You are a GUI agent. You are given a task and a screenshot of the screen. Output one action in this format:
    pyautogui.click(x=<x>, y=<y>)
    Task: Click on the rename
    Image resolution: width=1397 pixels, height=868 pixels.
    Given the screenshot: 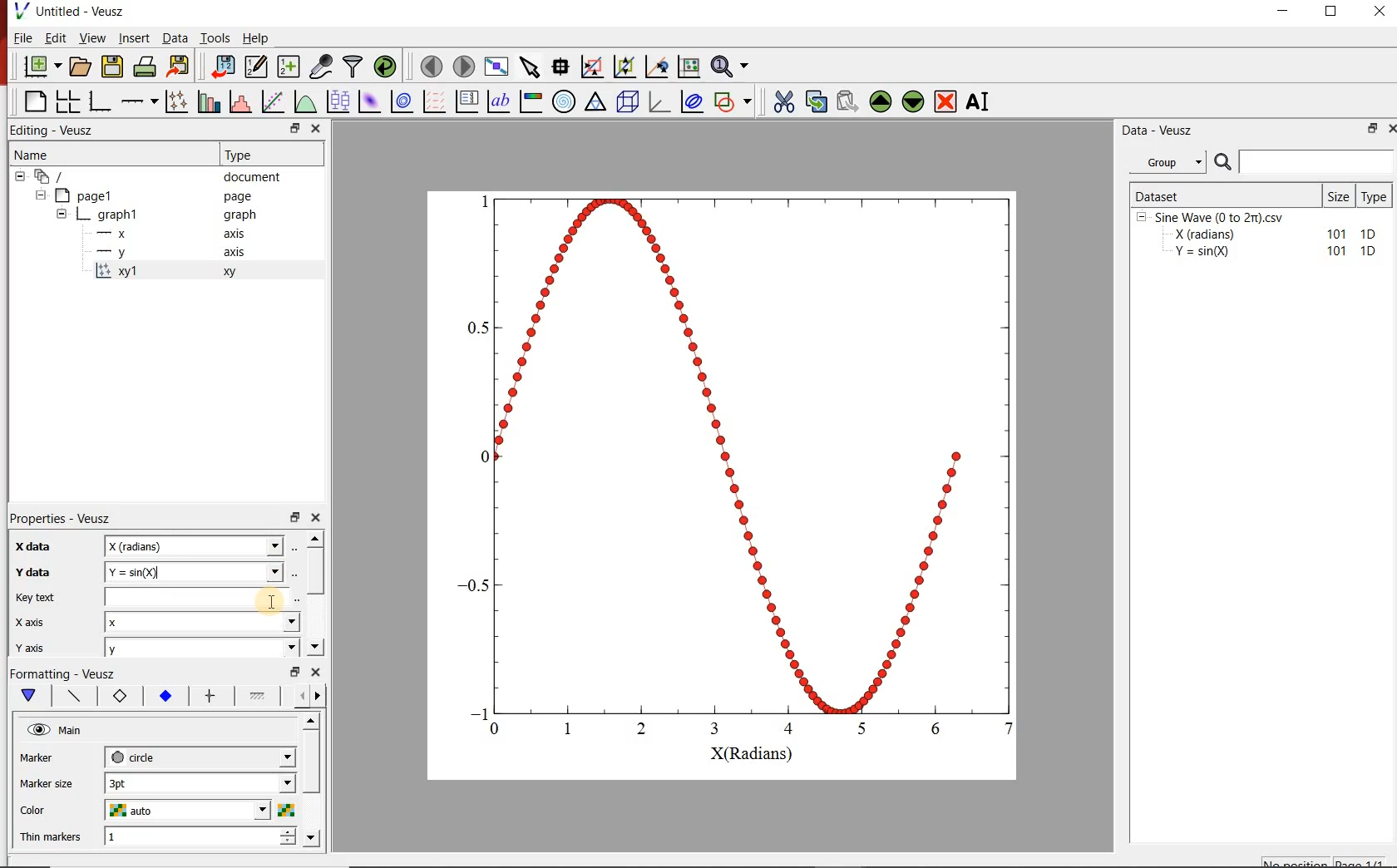 What is the action you would take?
    pyautogui.click(x=981, y=103)
    